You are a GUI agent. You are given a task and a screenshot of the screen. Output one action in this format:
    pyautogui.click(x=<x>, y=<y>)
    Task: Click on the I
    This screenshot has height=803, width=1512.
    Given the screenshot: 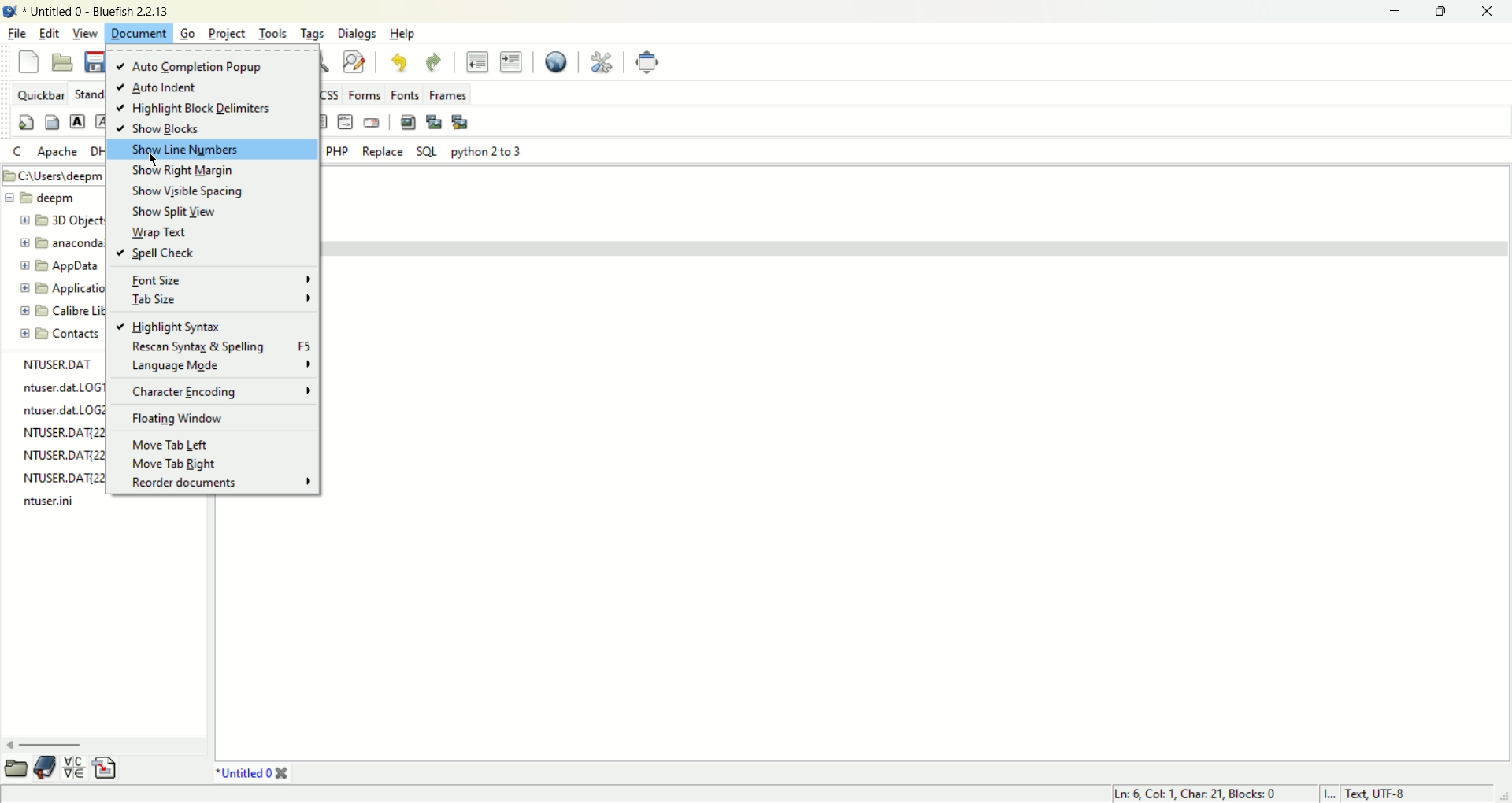 What is the action you would take?
    pyautogui.click(x=1331, y=793)
    